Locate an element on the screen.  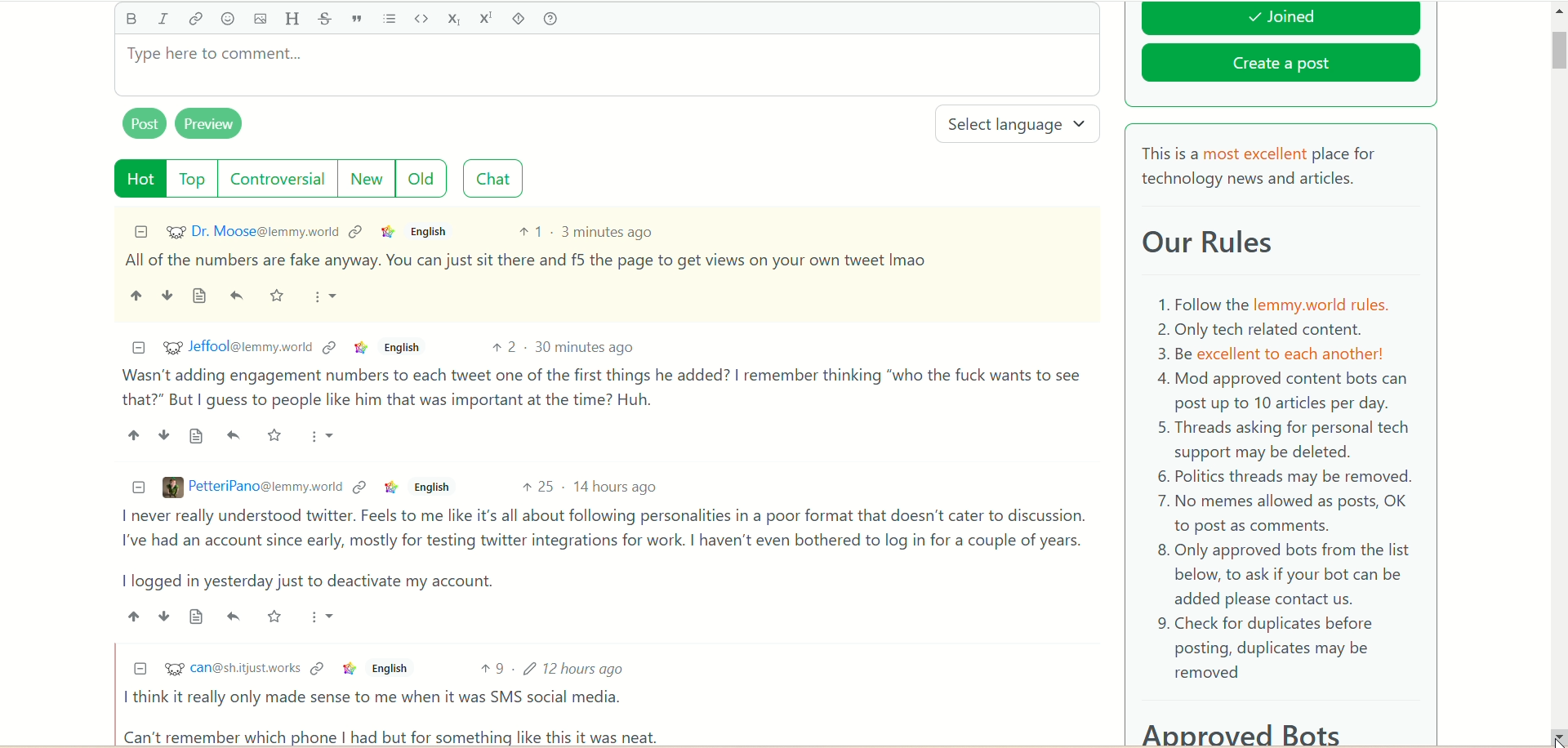
chat is located at coordinates (493, 179).